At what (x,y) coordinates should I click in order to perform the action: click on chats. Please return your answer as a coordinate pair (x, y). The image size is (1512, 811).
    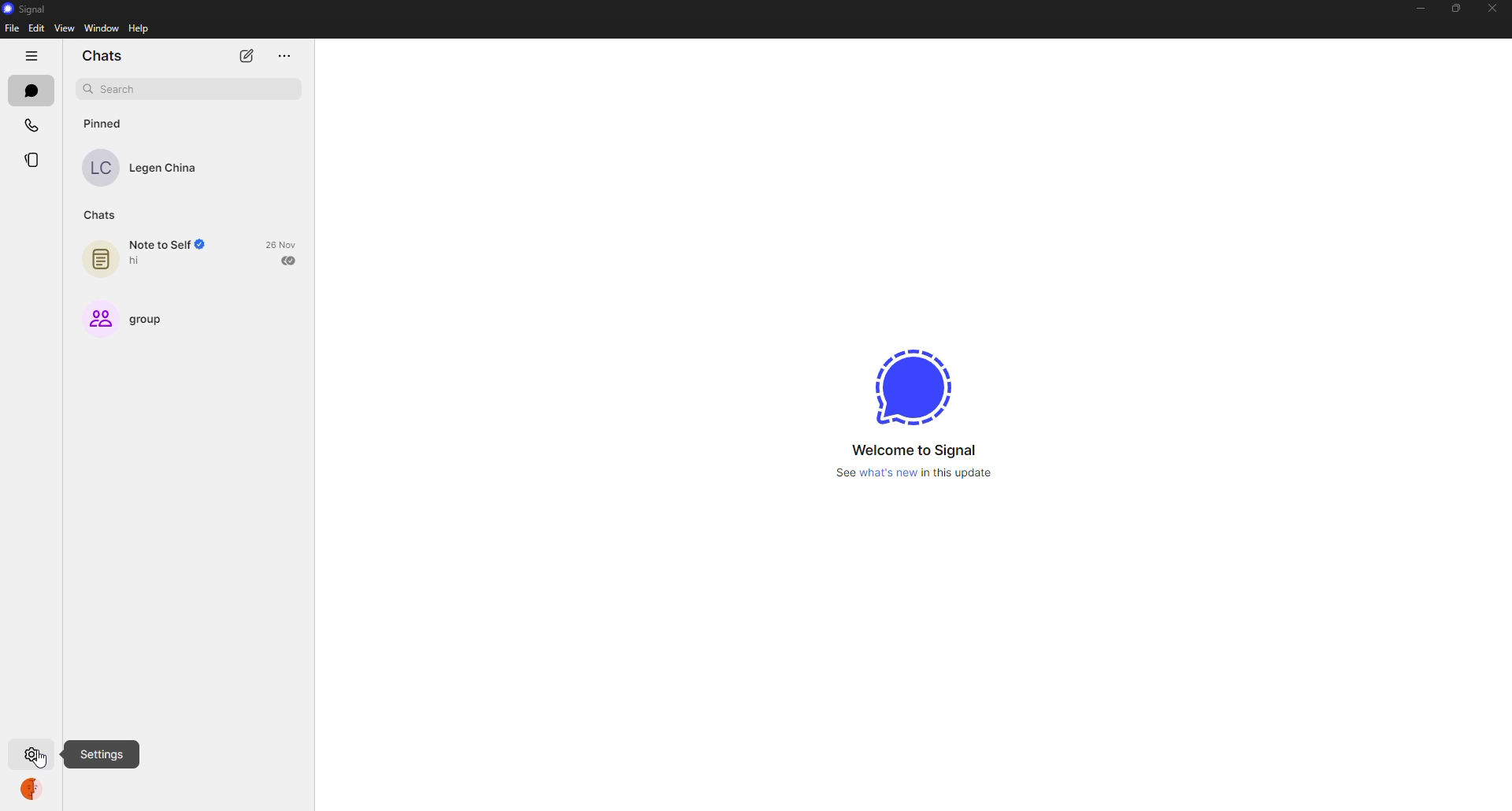
    Looking at the image, I should click on (99, 214).